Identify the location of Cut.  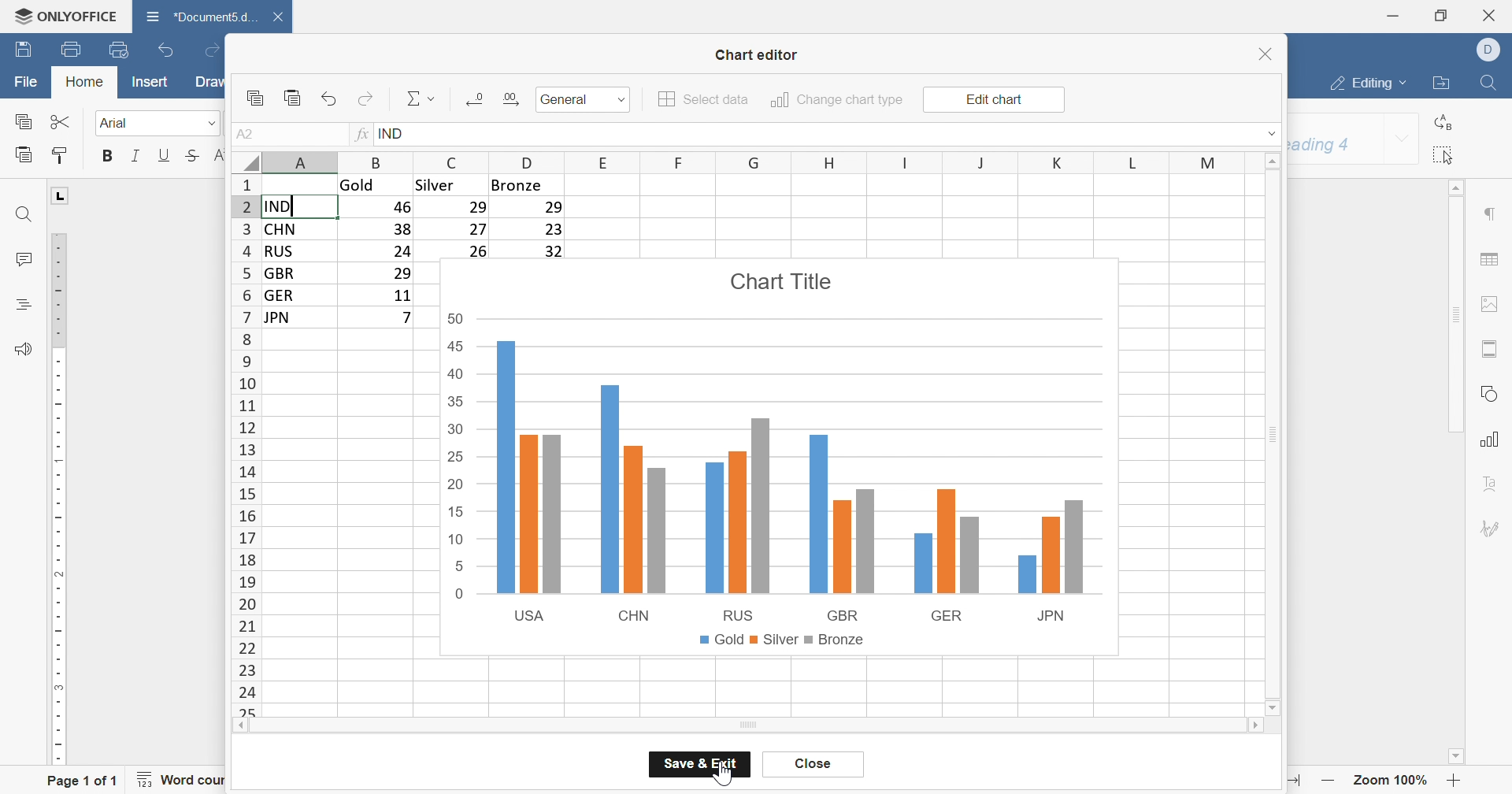
(61, 121).